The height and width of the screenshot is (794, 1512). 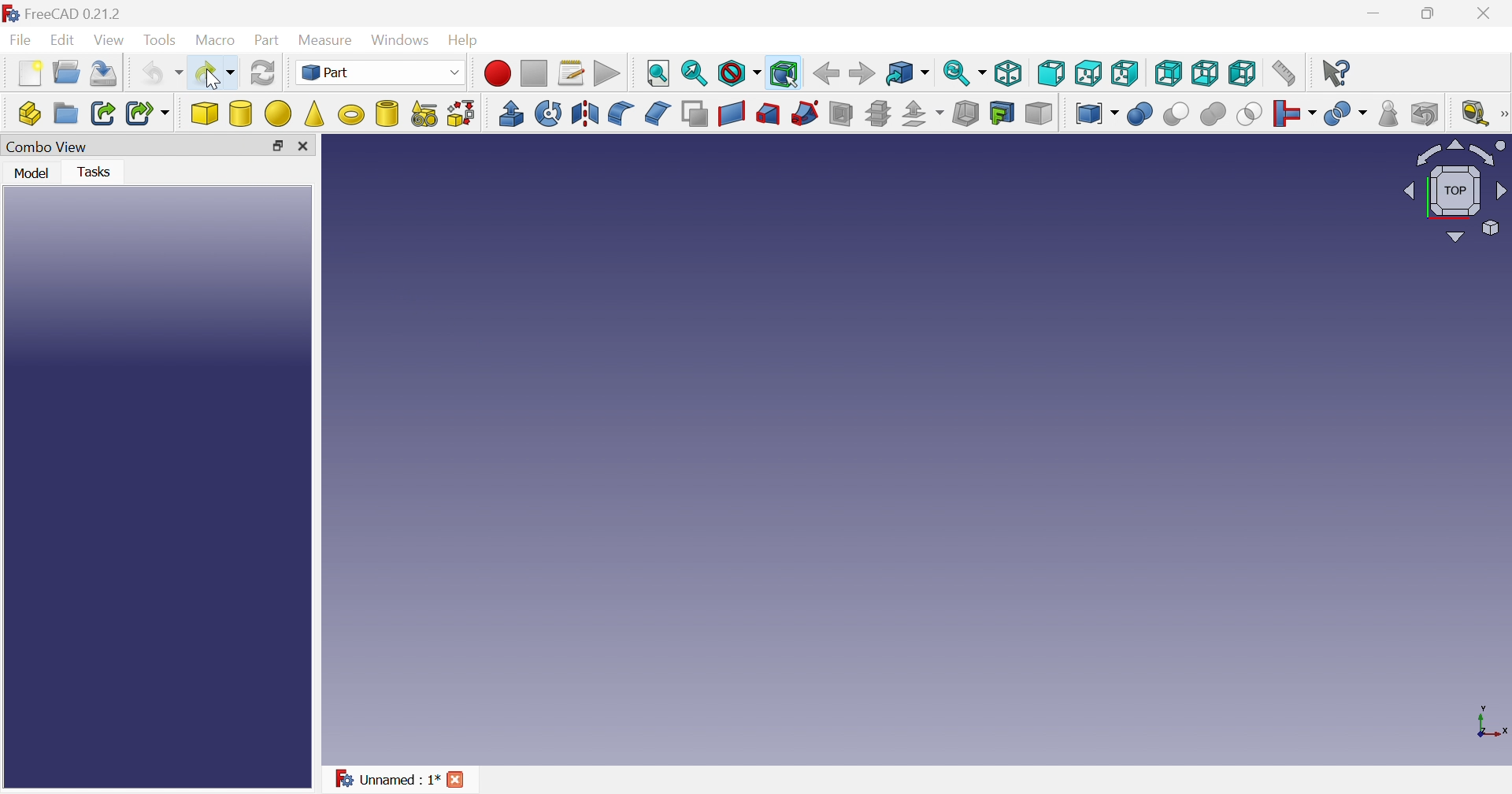 I want to click on Sweep, so click(x=805, y=113).